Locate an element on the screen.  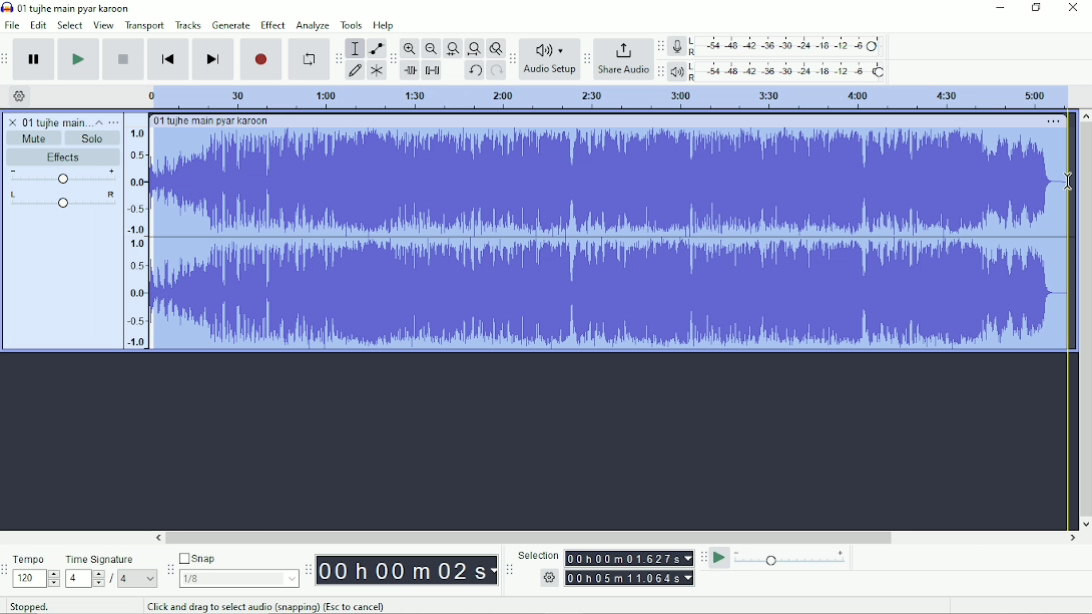
close is located at coordinates (13, 119).